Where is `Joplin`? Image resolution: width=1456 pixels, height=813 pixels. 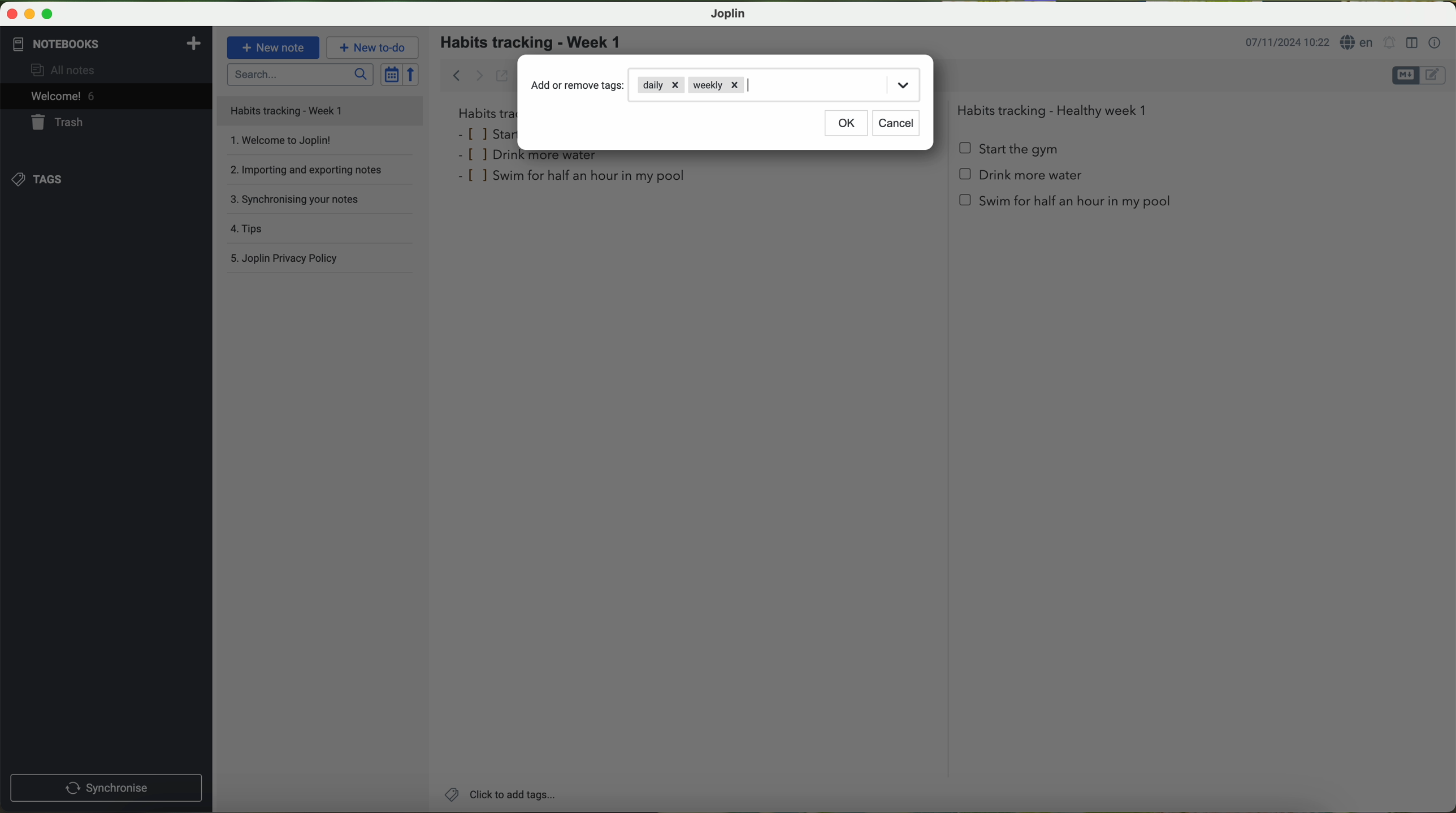
Joplin is located at coordinates (727, 14).